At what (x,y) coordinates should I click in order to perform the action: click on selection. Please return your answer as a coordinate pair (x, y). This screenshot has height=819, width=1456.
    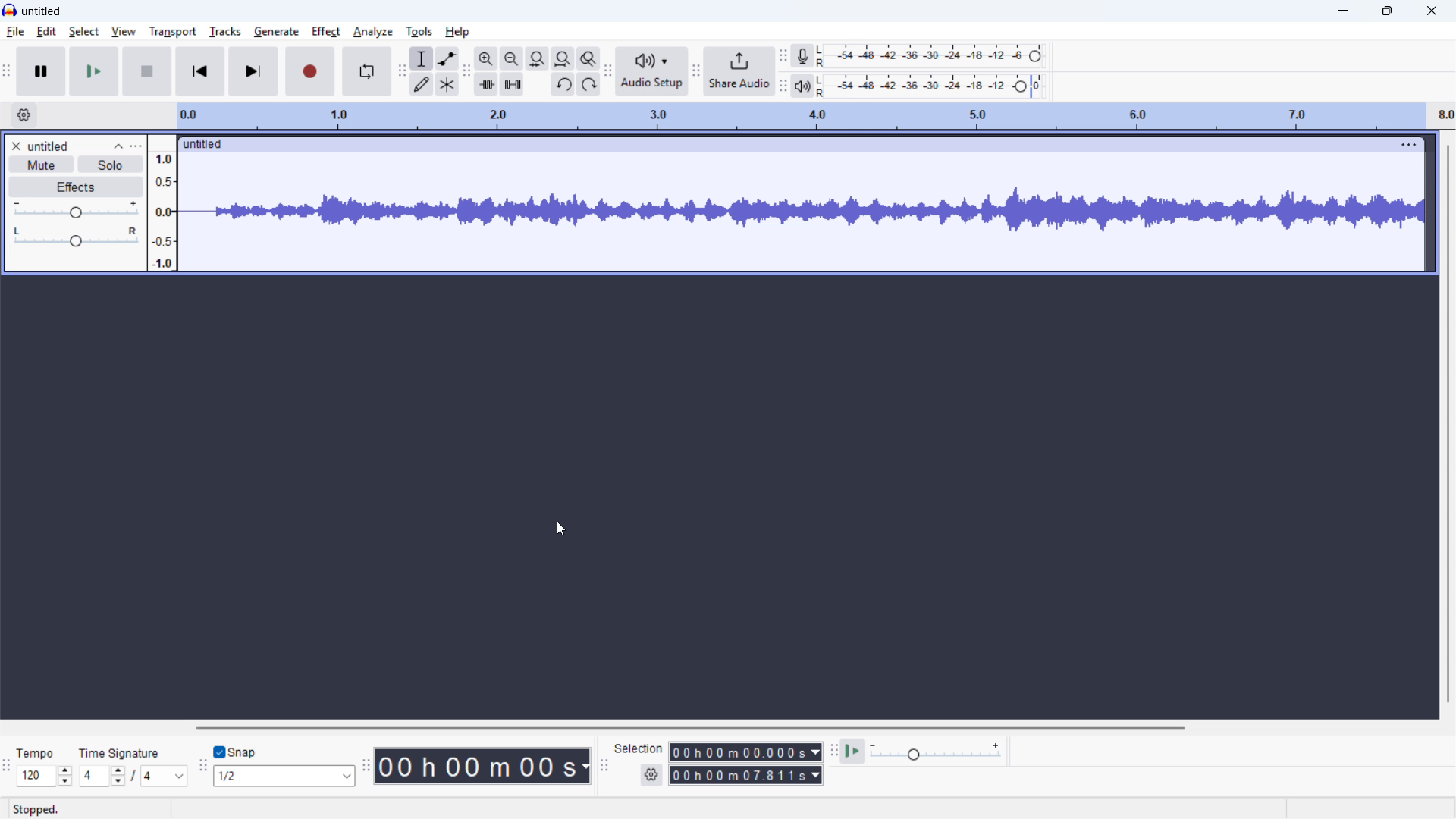
    Looking at the image, I should click on (639, 748).